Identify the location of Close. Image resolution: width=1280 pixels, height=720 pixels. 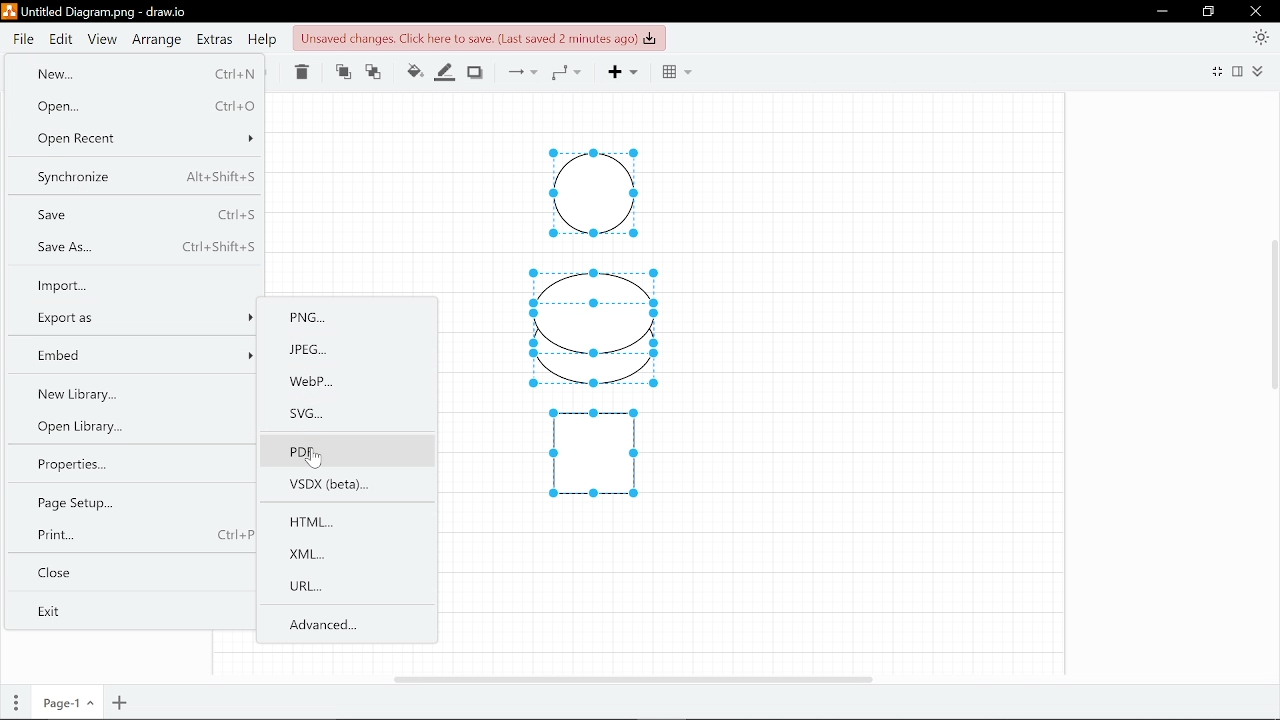
(1257, 12).